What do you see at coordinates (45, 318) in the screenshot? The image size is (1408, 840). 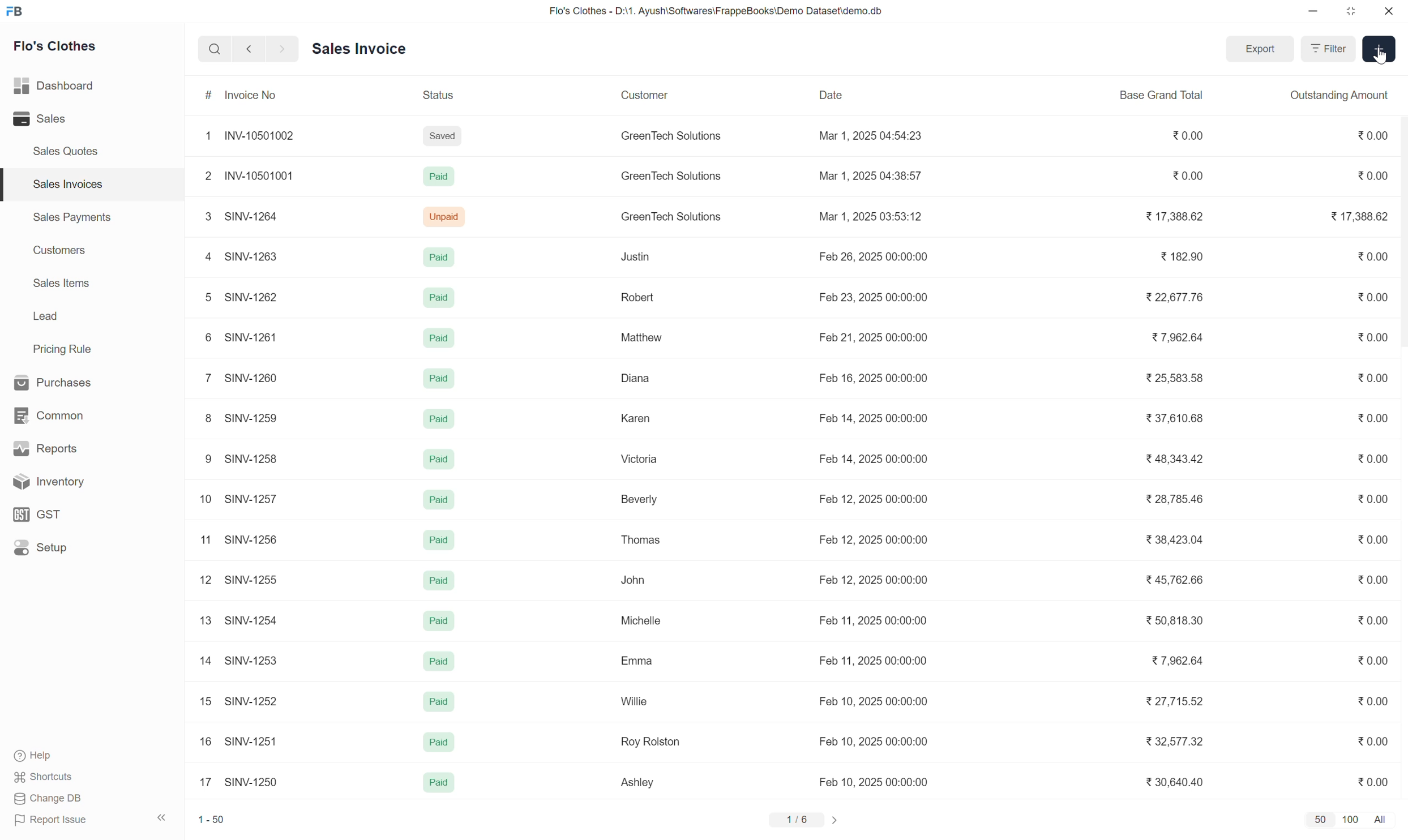 I see `Lead` at bounding box center [45, 318].